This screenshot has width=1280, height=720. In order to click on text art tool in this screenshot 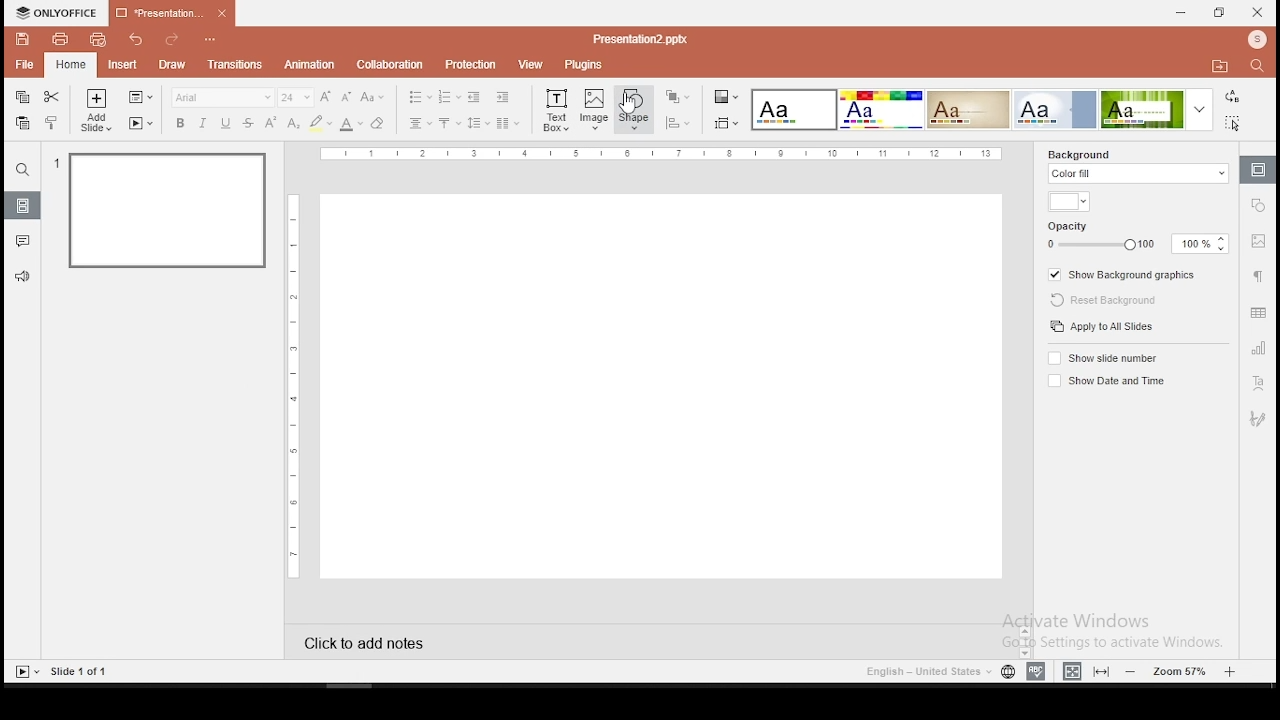, I will do `click(1256, 385)`.